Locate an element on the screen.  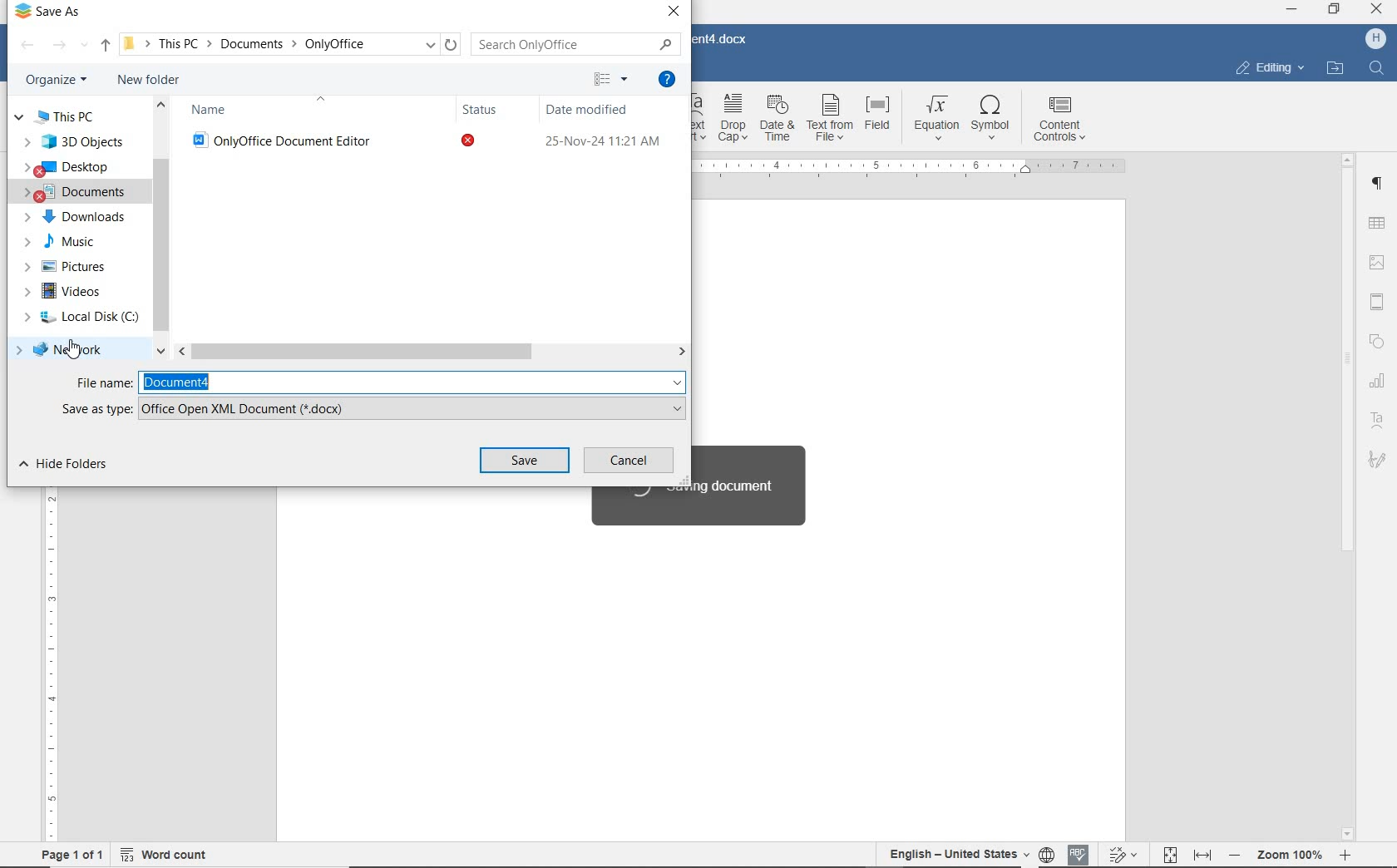
MUSIC is located at coordinates (61, 241).